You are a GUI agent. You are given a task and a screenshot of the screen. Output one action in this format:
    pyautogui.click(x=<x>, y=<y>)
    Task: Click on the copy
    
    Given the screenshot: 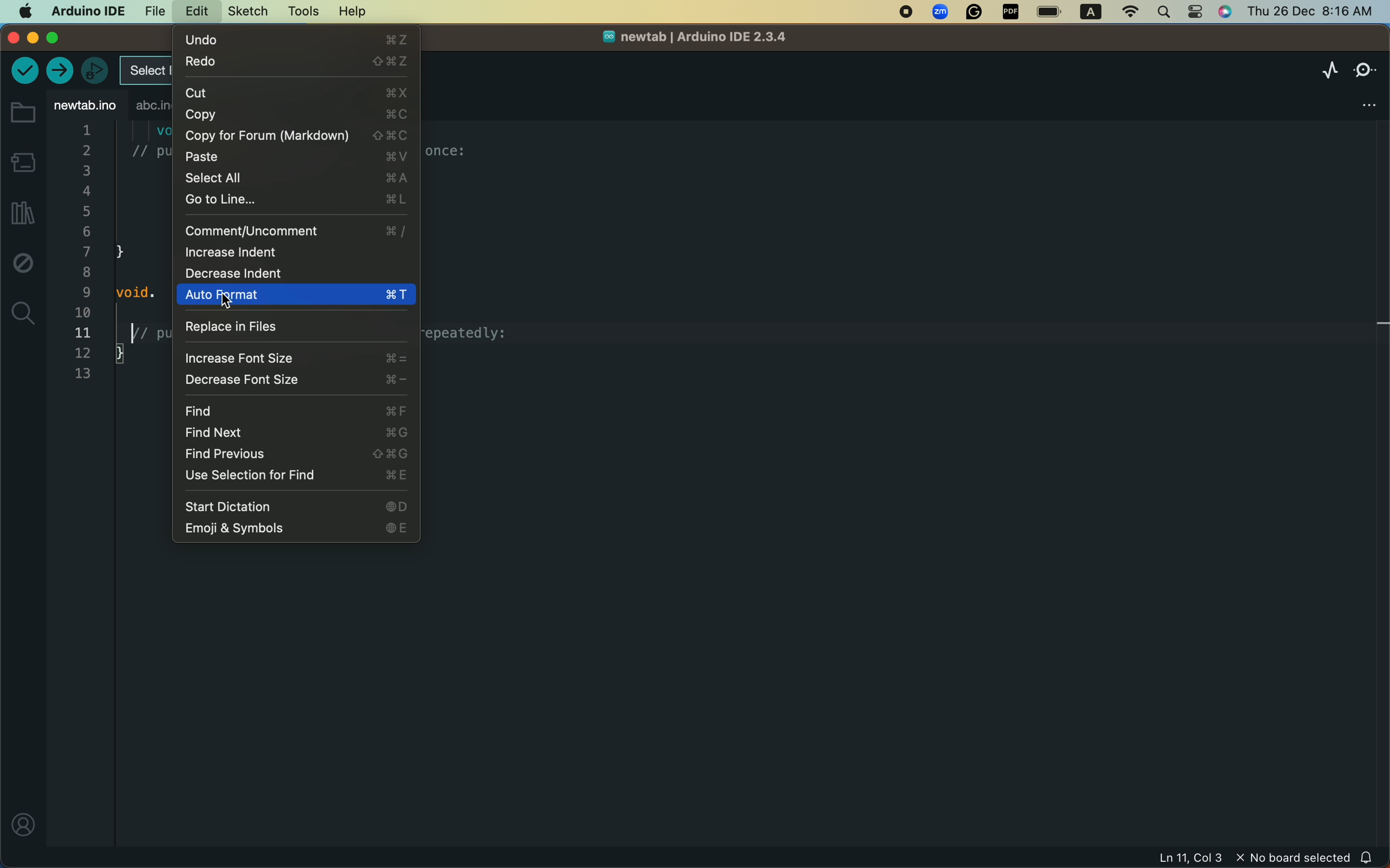 What is the action you would take?
    pyautogui.click(x=295, y=136)
    